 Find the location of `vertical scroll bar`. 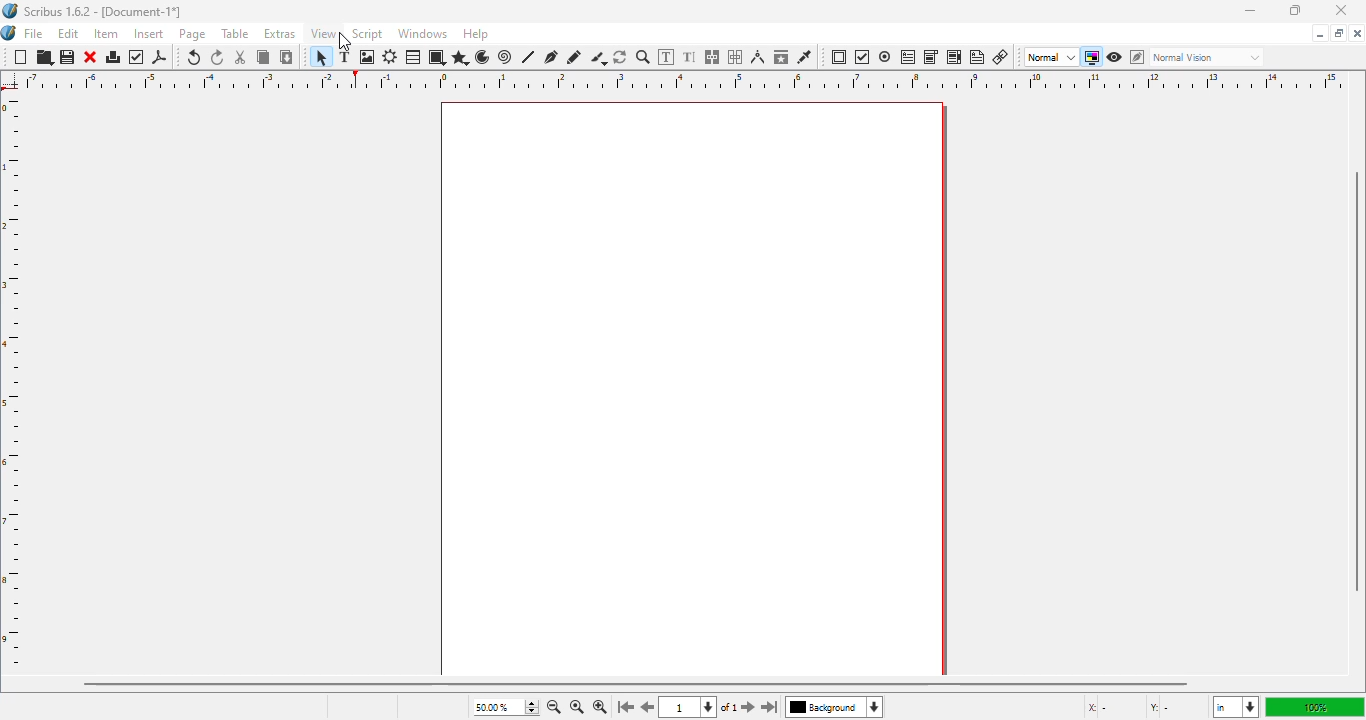

vertical scroll bar is located at coordinates (1357, 383).